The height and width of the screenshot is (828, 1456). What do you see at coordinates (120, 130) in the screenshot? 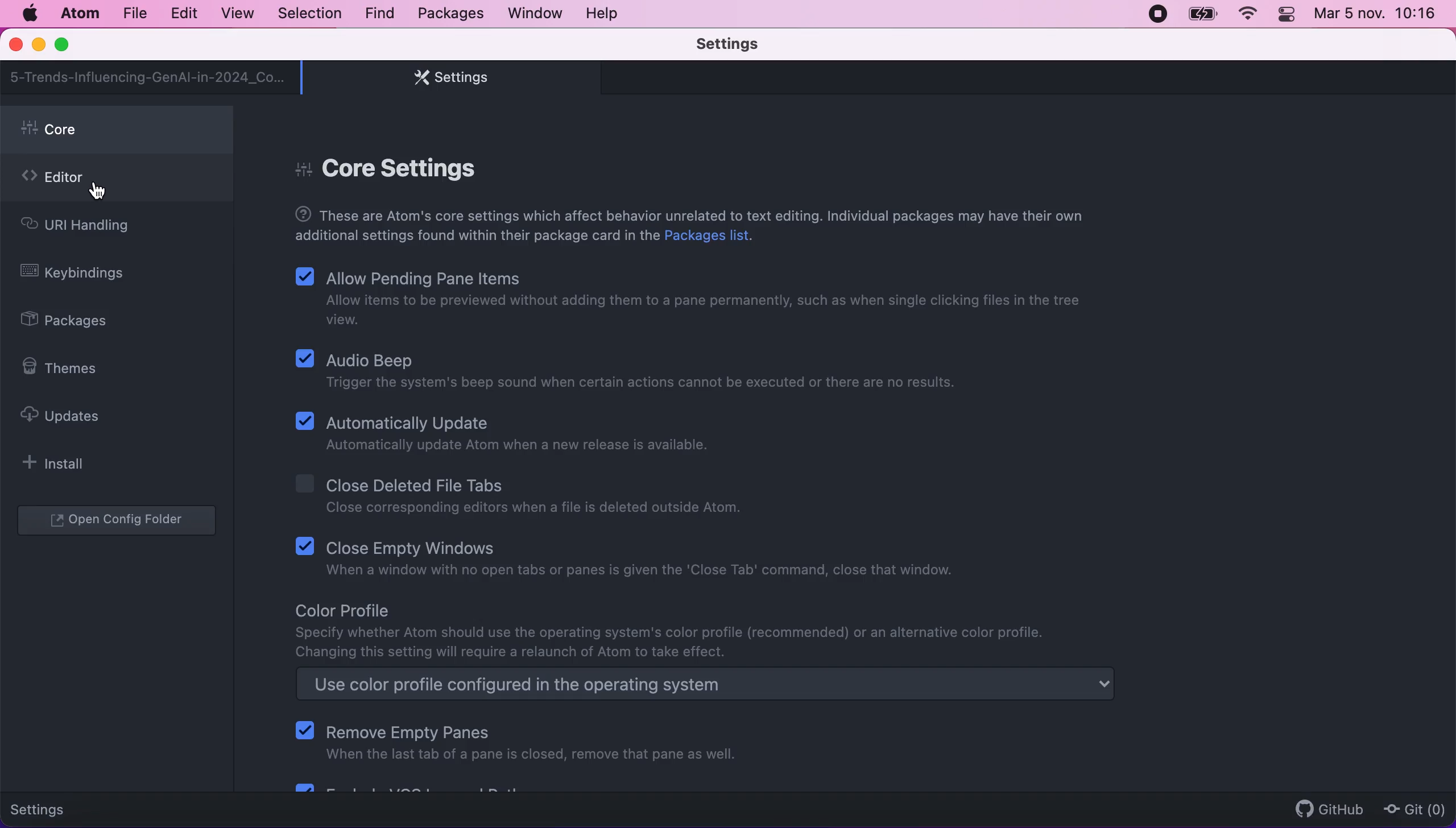
I see `core` at bounding box center [120, 130].